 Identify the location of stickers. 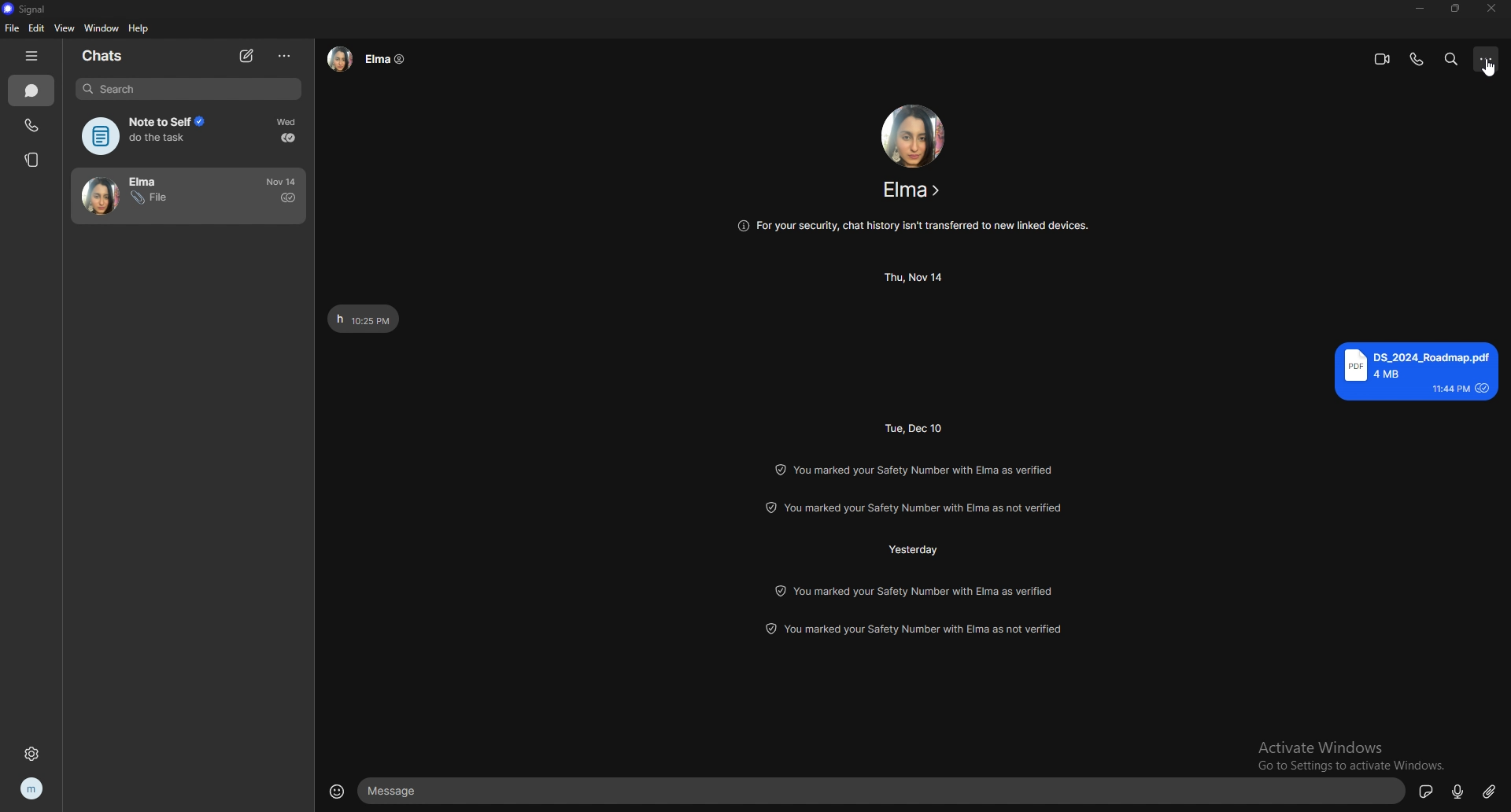
(1426, 791).